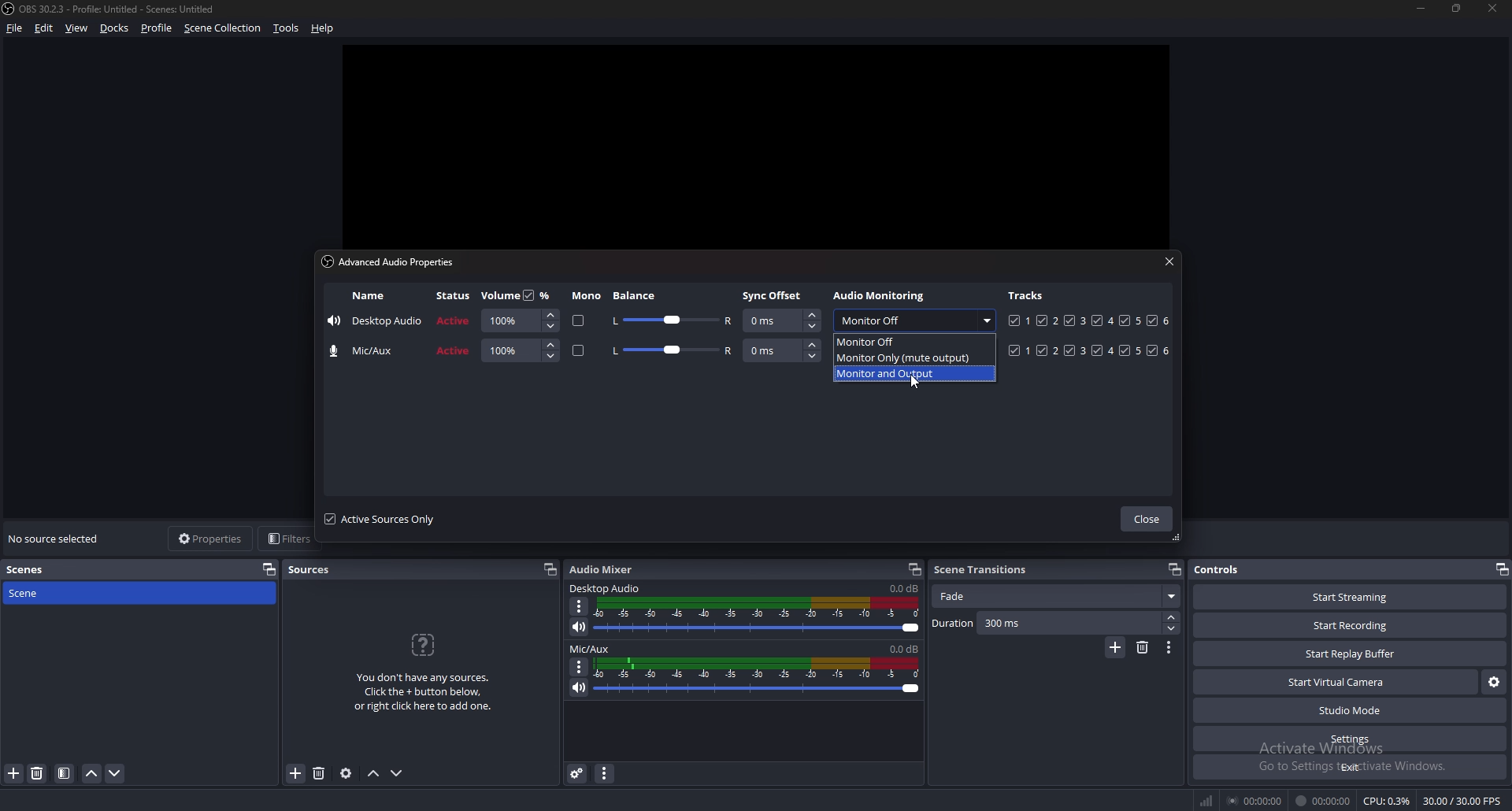  Describe the element at coordinates (1348, 767) in the screenshot. I see `exit` at that location.